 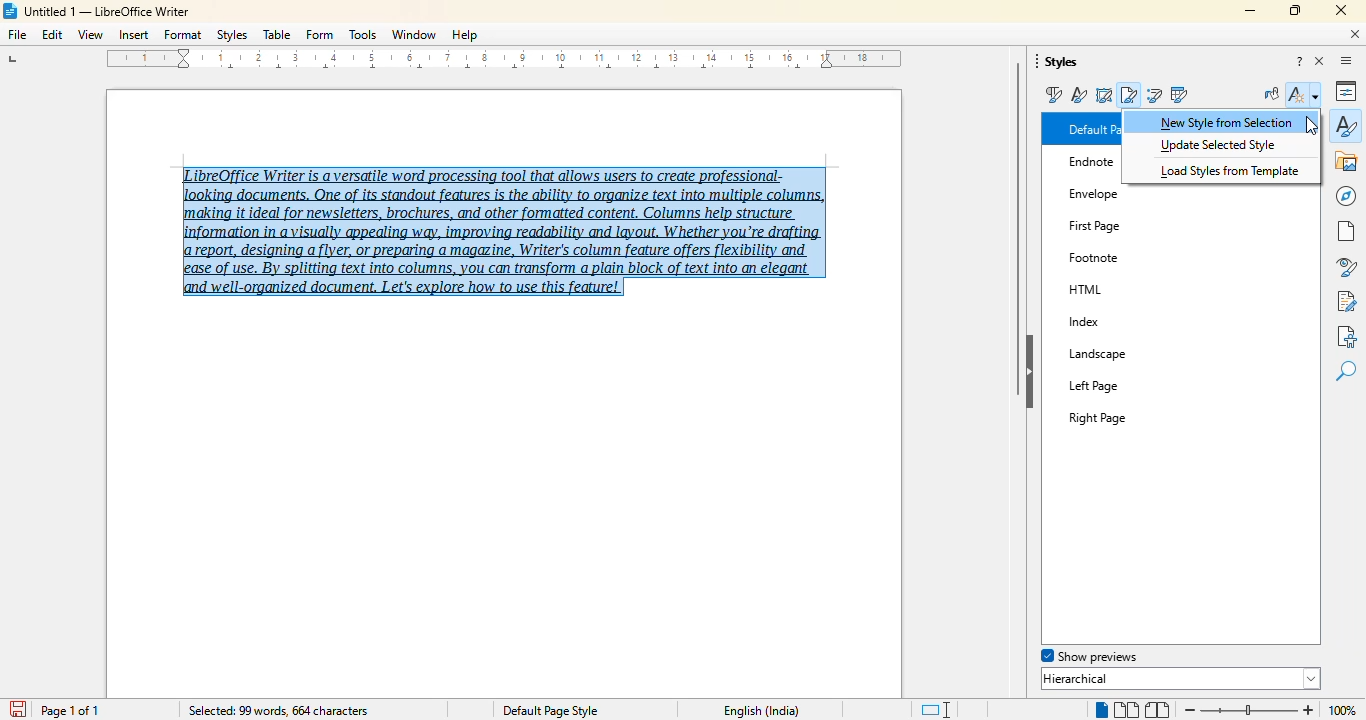 I want to click on help about this sidebar deck, so click(x=1300, y=62).